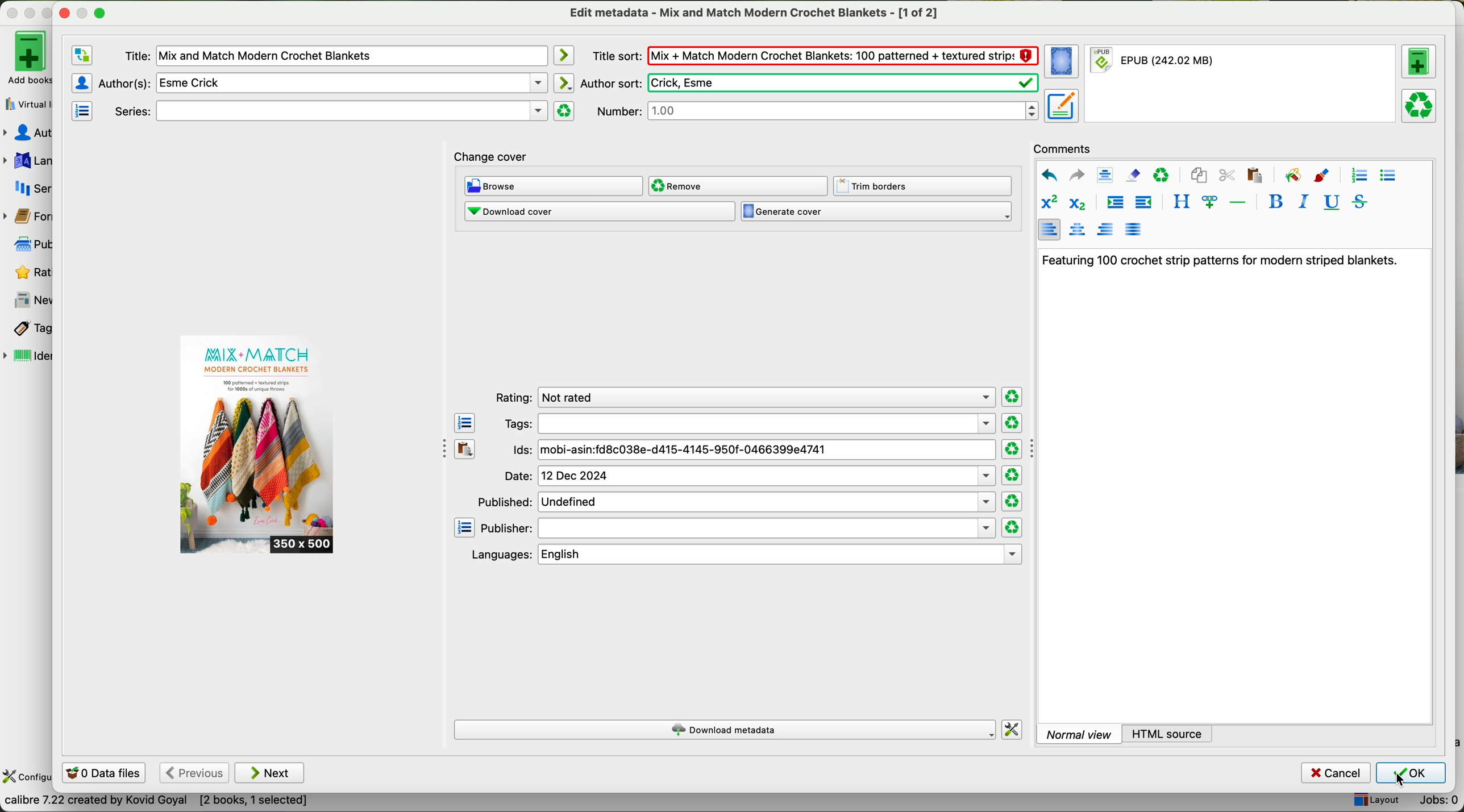 Image resolution: width=1464 pixels, height=812 pixels. I want to click on cut, so click(1227, 176).